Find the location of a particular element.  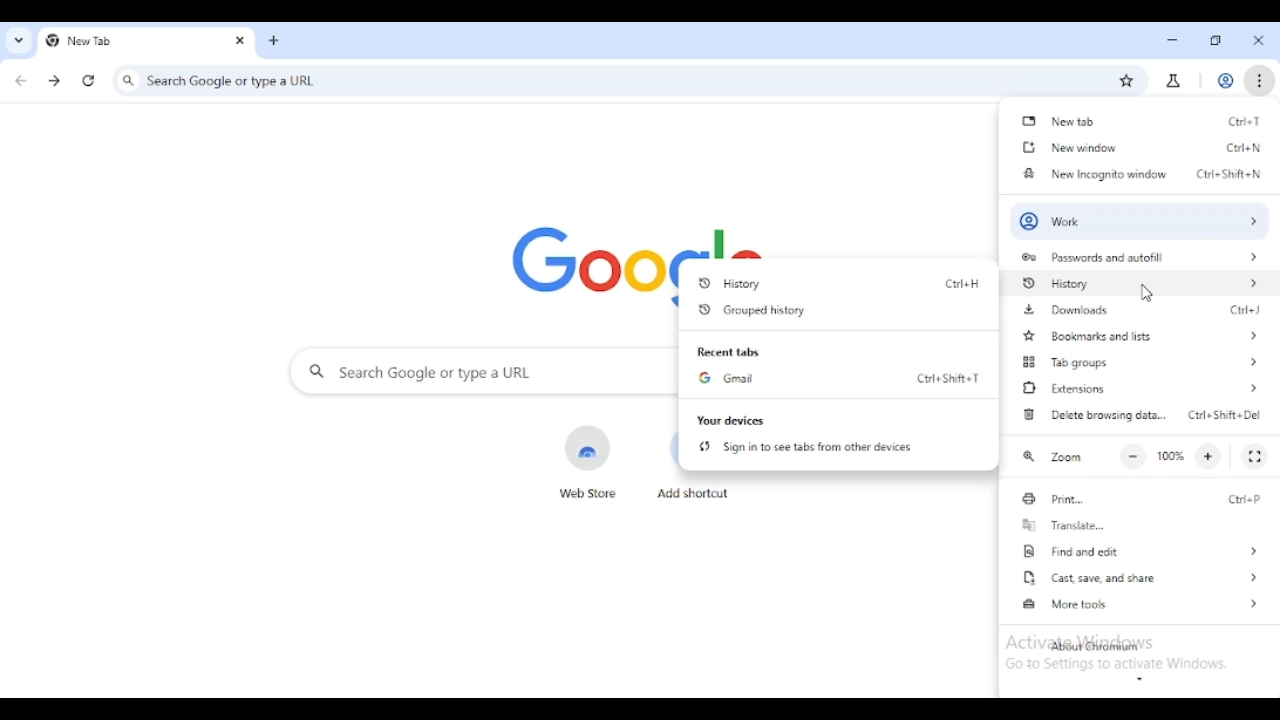

profile is located at coordinates (1140, 221).